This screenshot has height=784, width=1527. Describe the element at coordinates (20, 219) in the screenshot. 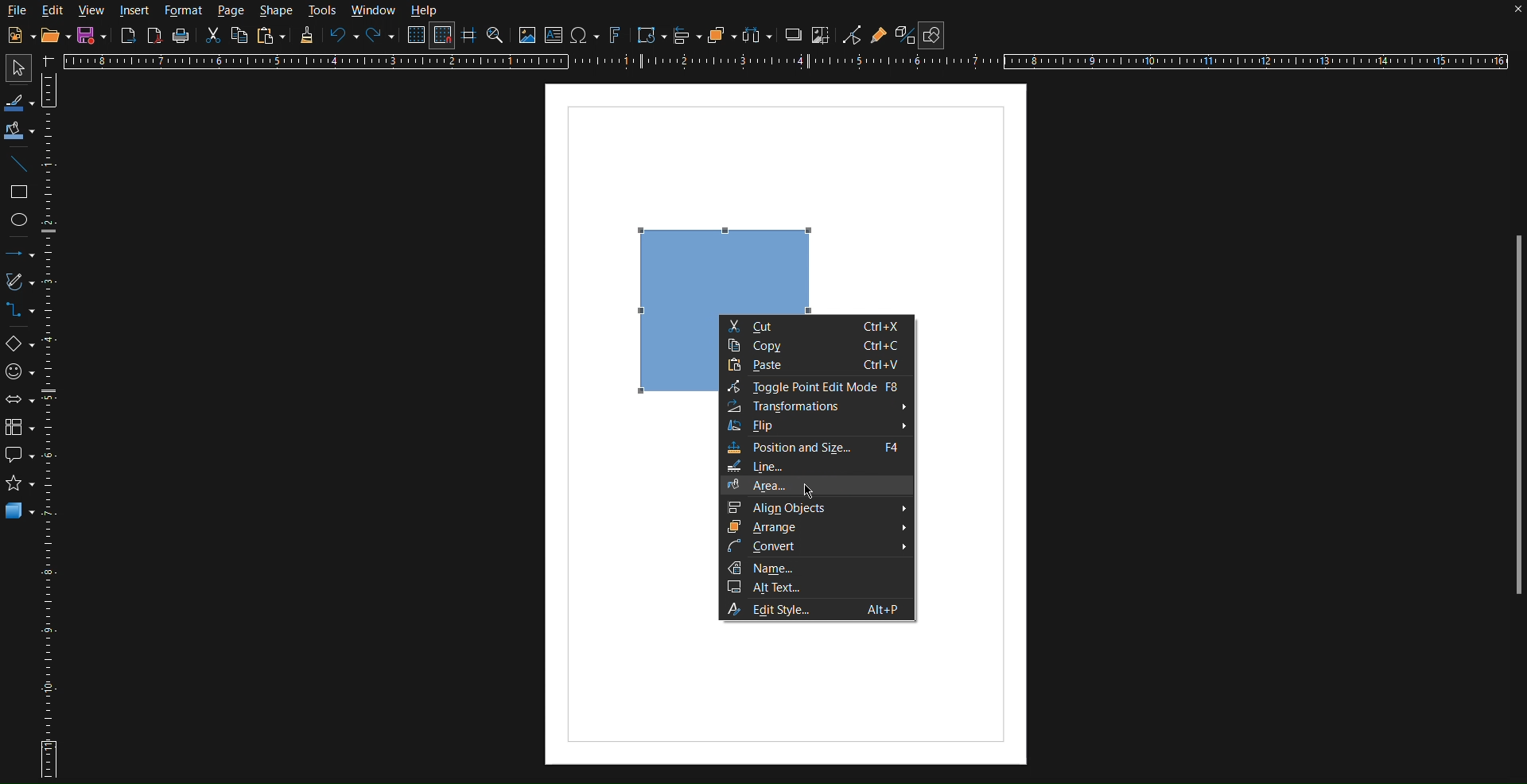

I see `Circle` at that location.